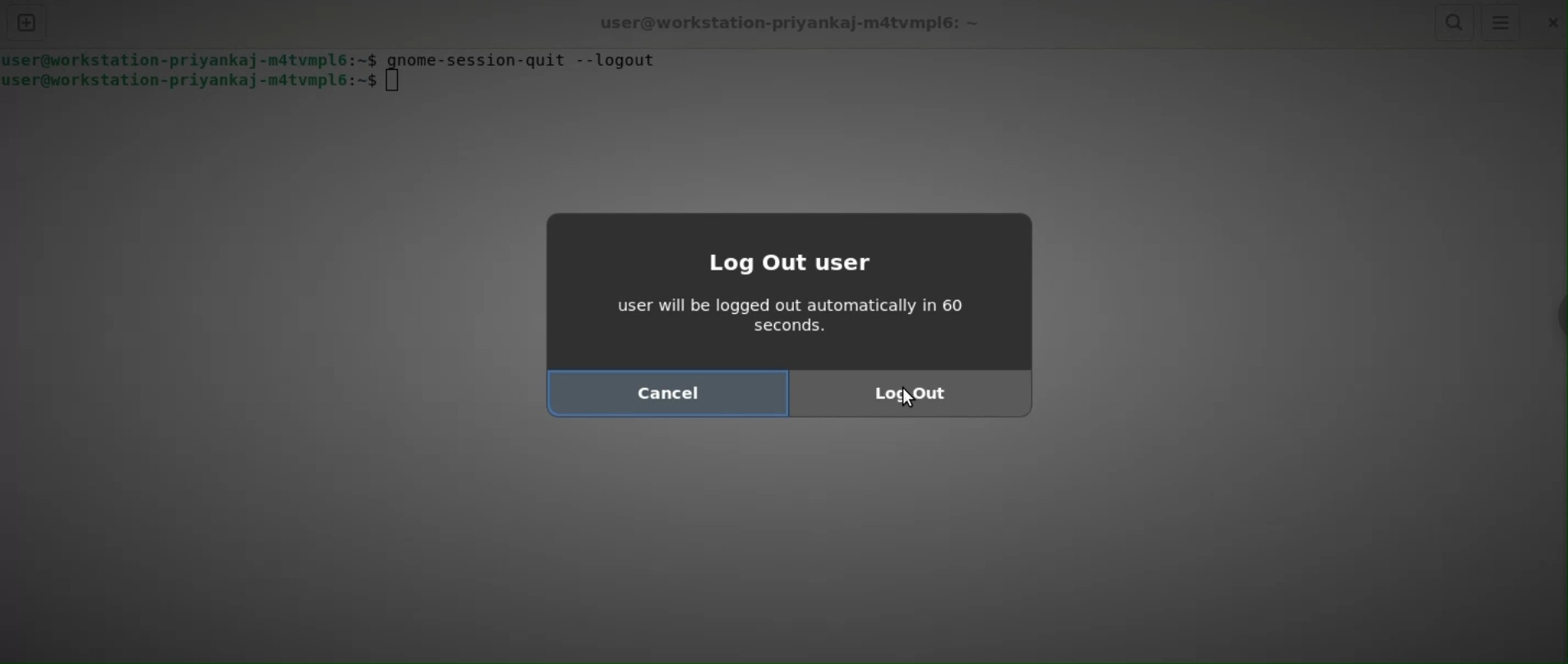 The image size is (1568, 664). What do you see at coordinates (1549, 24) in the screenshot?
I see `close` at bounding box center [1549, 24].